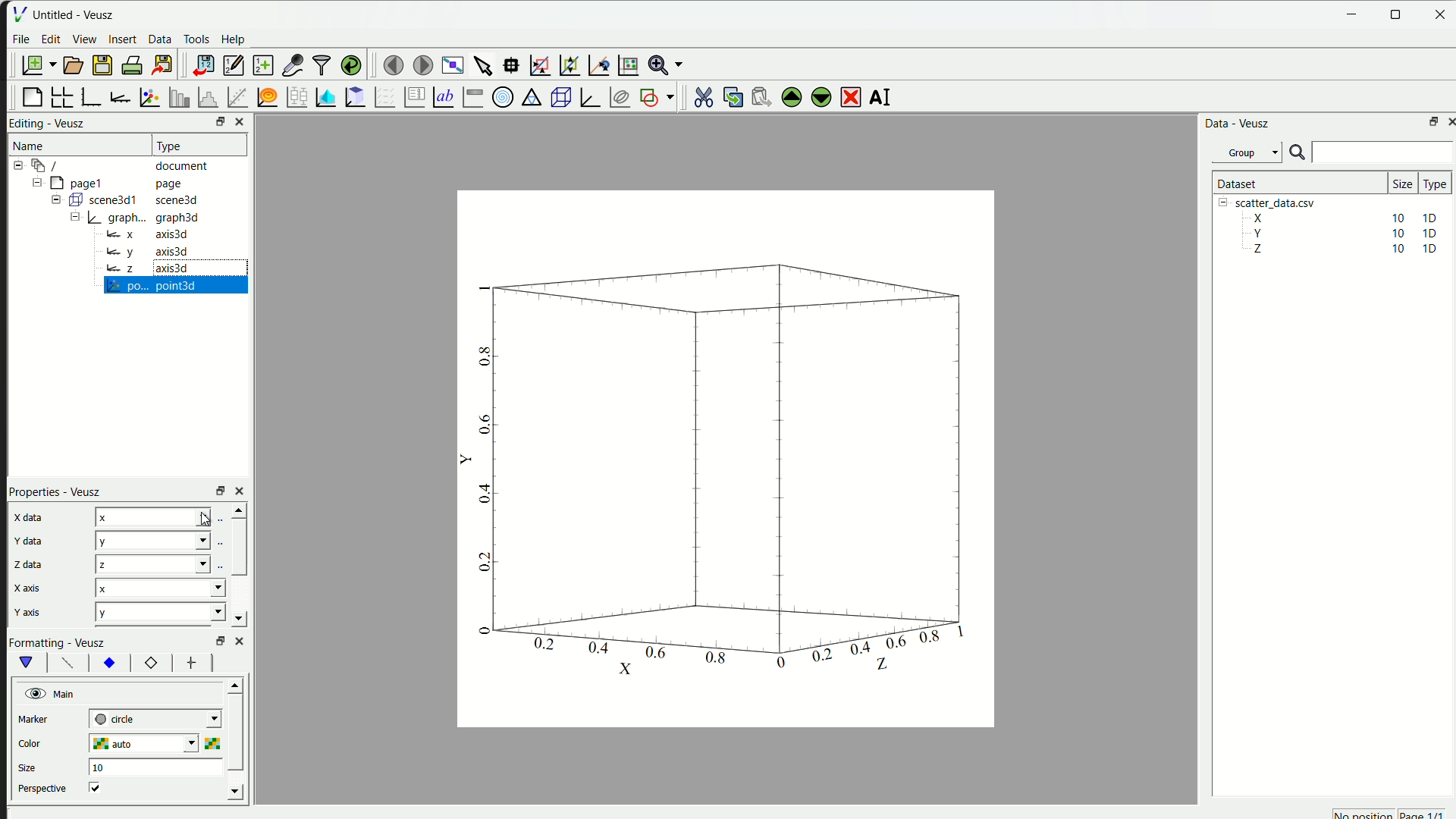  I want to click on Image color bar, so click(474, 96).